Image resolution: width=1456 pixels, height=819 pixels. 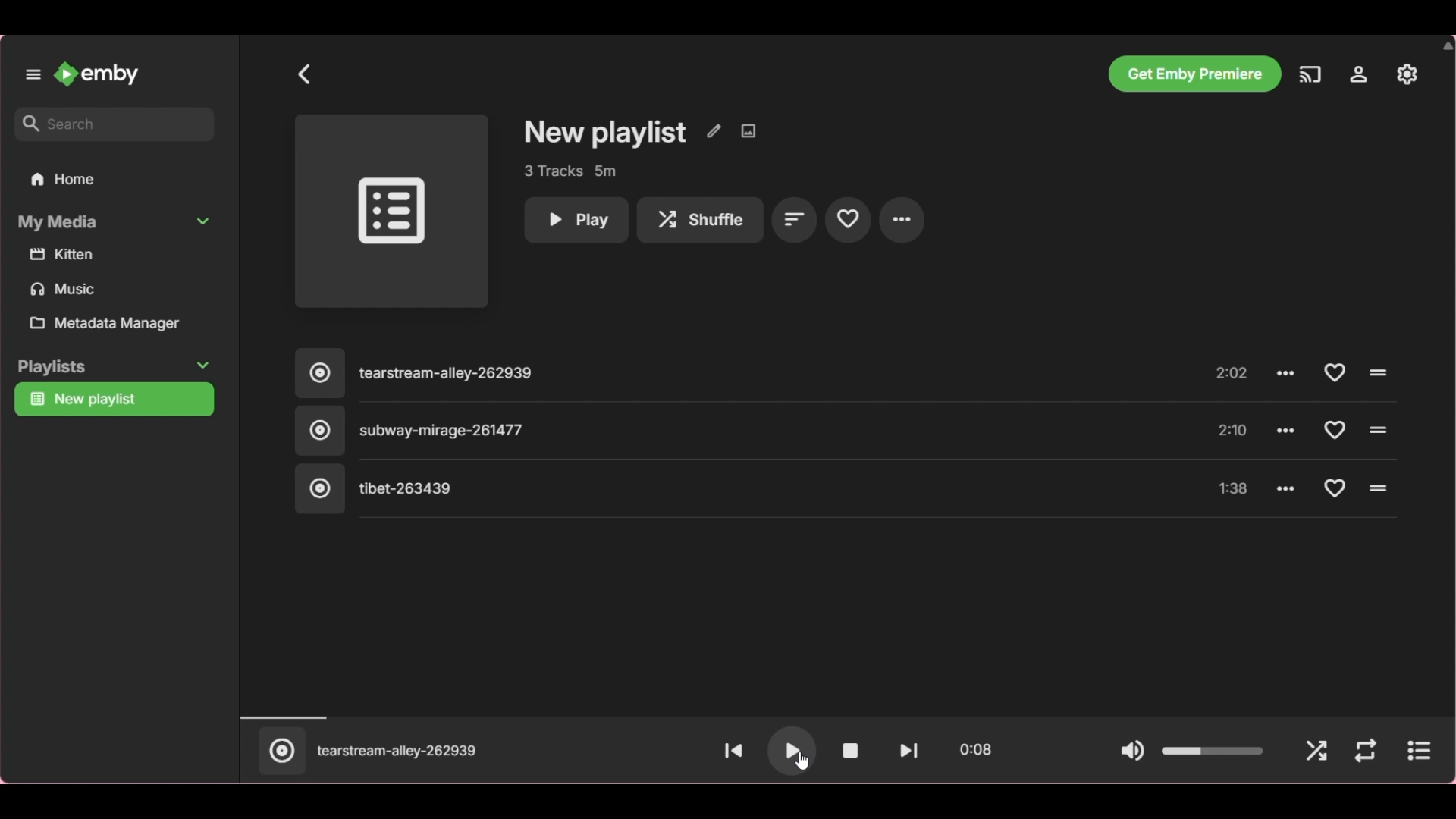 I want to click on Song 1, click to play, so click(x=721, y=375).